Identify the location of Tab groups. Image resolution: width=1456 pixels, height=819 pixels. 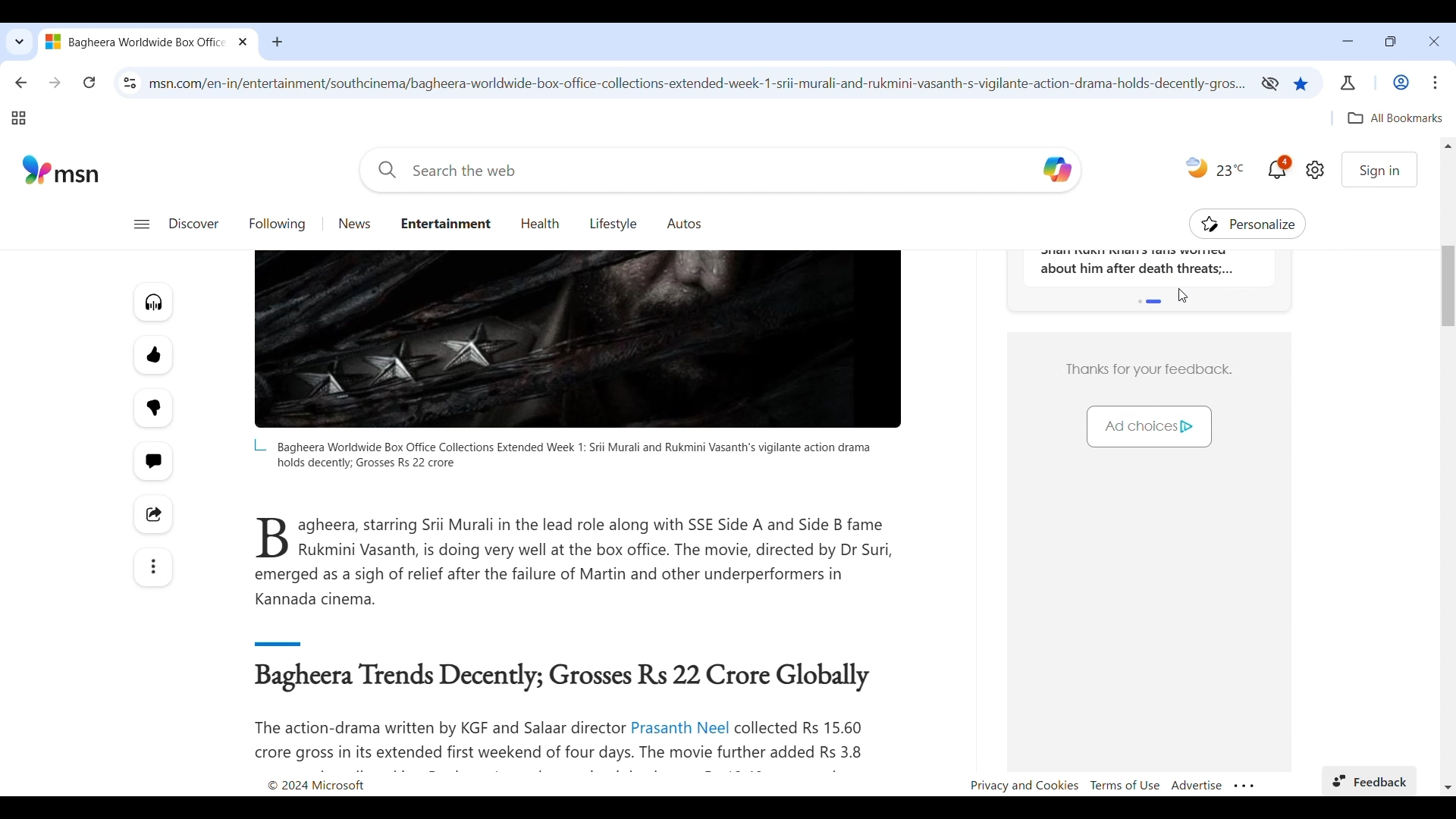
(18, 118).